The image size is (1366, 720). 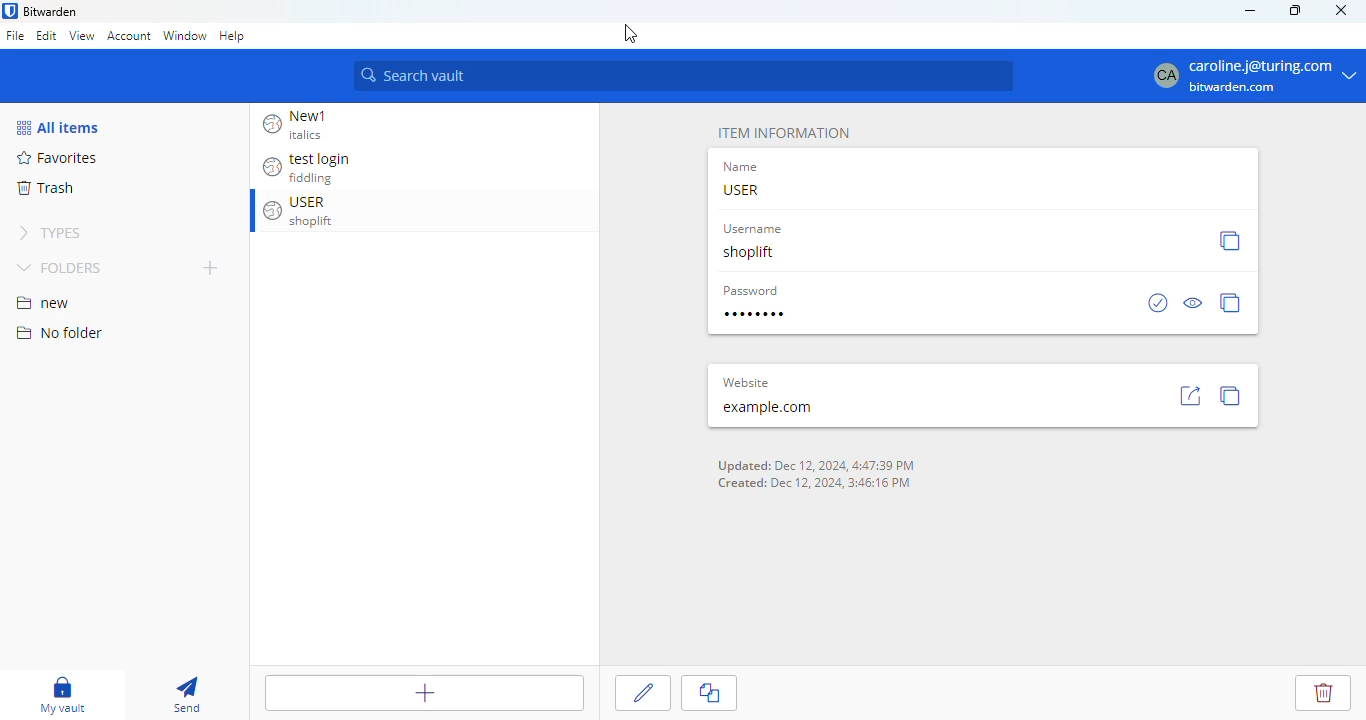 What do you see at coordinates (685, 77) in the screenshot?
I see `search vault` at bounding box center [685, 77].